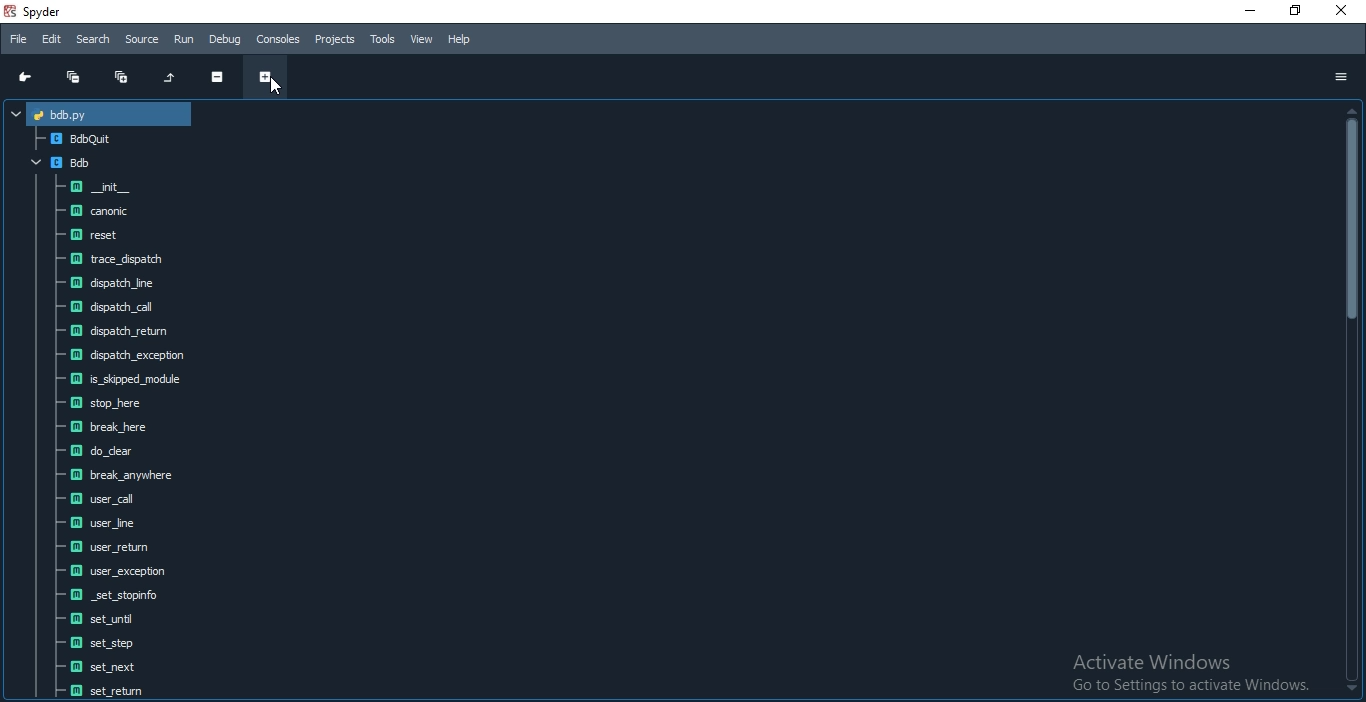 This screenshot has width=1366, height=702. What do you see at coordinates (67, 77) in the screenshot?
I see `Collapse all` at bounding box center [67, 77].